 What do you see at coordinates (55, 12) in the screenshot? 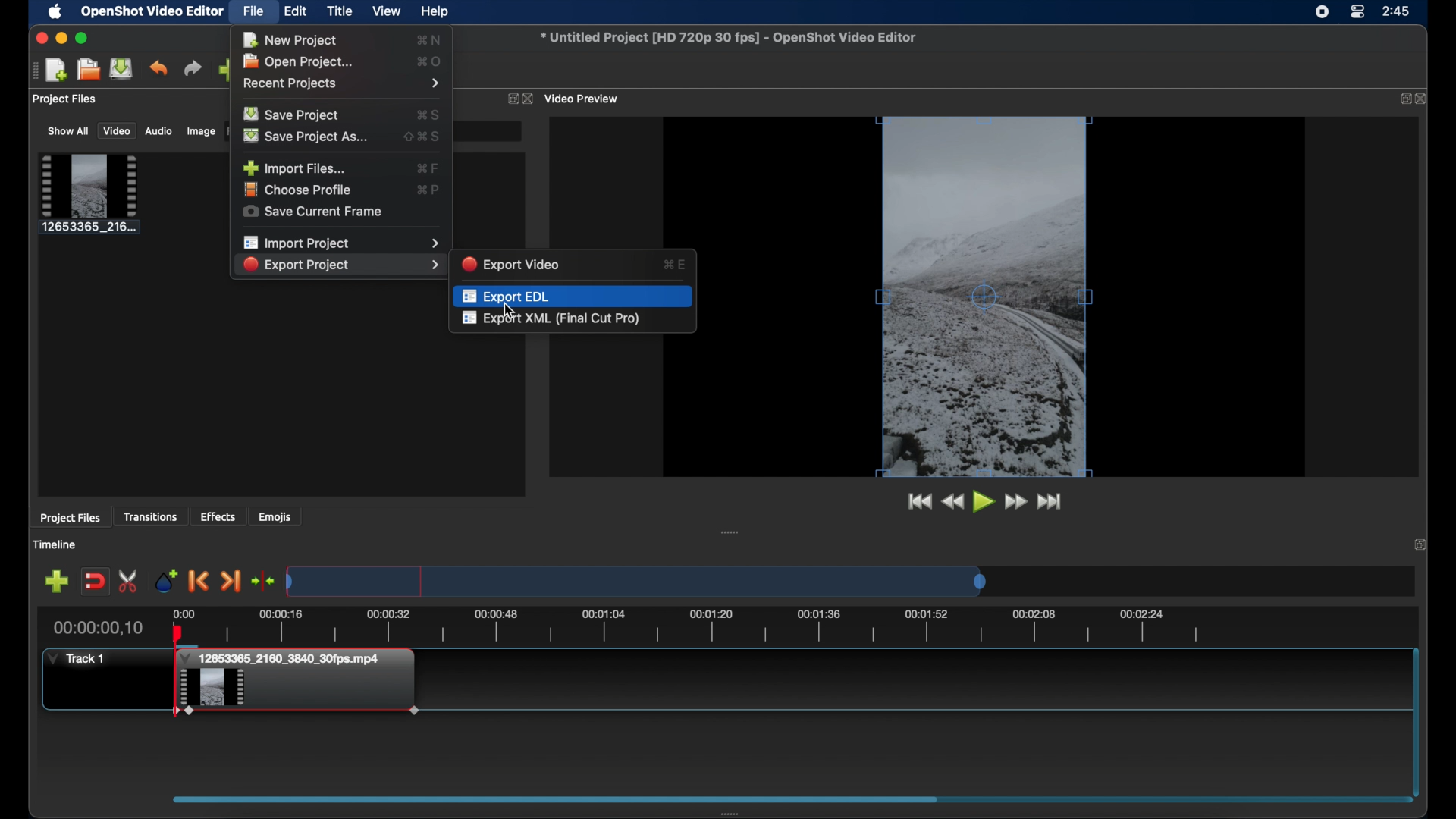
I see `apple icon` at bounding box center [55, 12].